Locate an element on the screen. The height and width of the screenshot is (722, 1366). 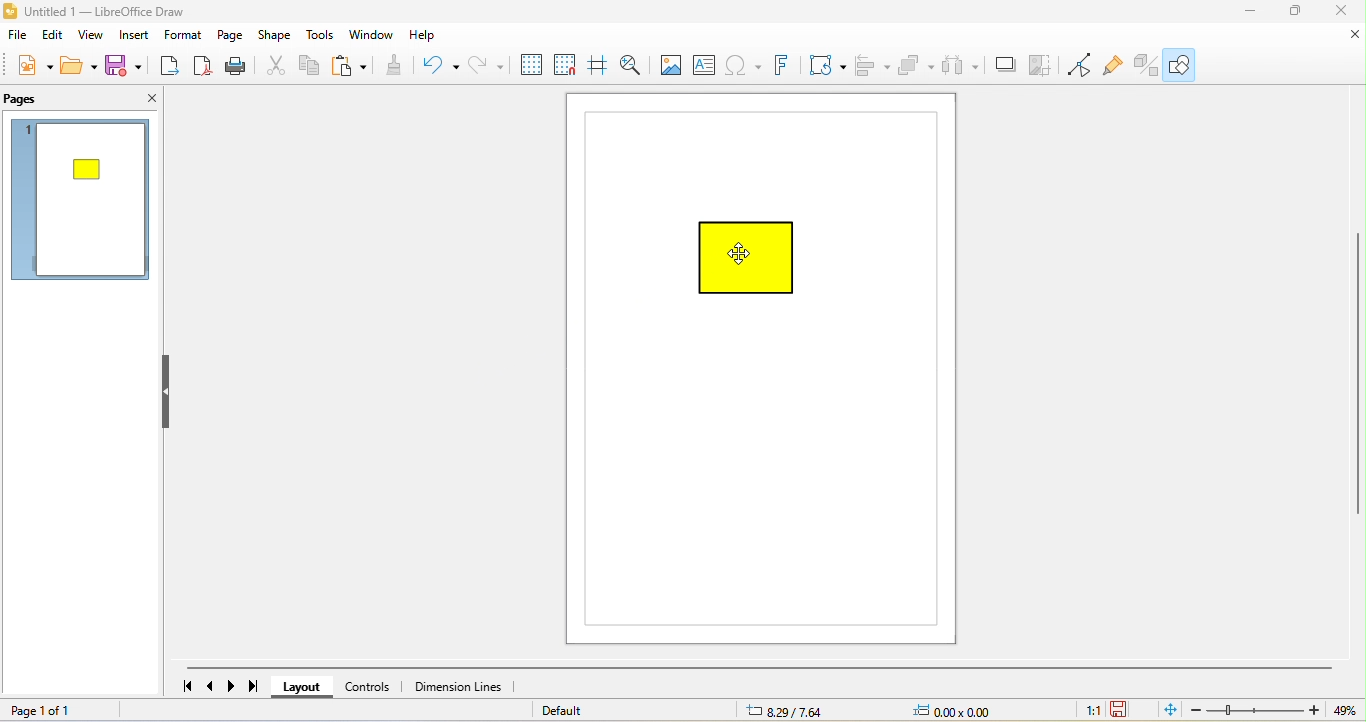
new is located at coordinates (28, 67).